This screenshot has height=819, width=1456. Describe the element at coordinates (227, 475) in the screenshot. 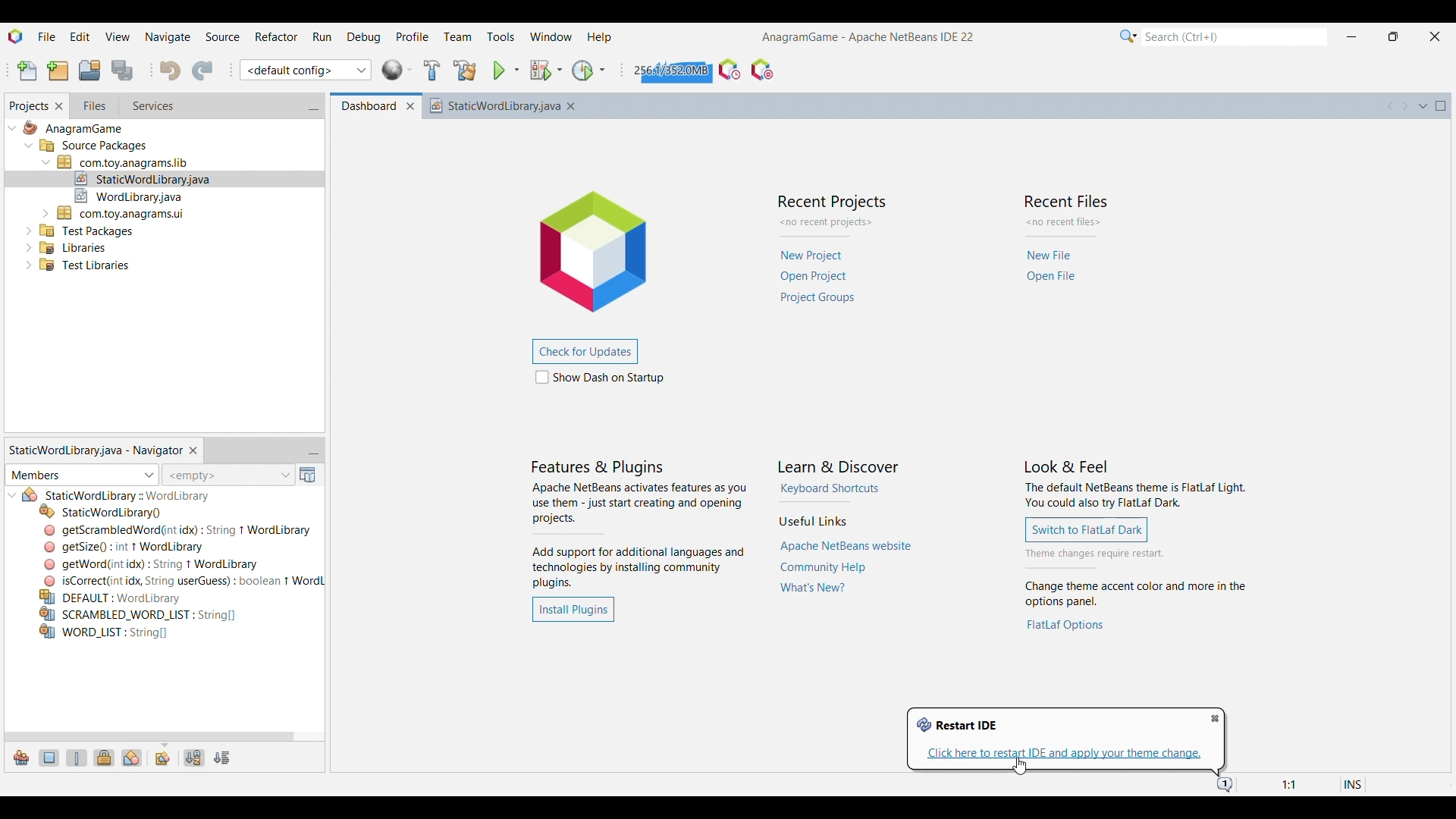

I see `Inspect members history` at that location.